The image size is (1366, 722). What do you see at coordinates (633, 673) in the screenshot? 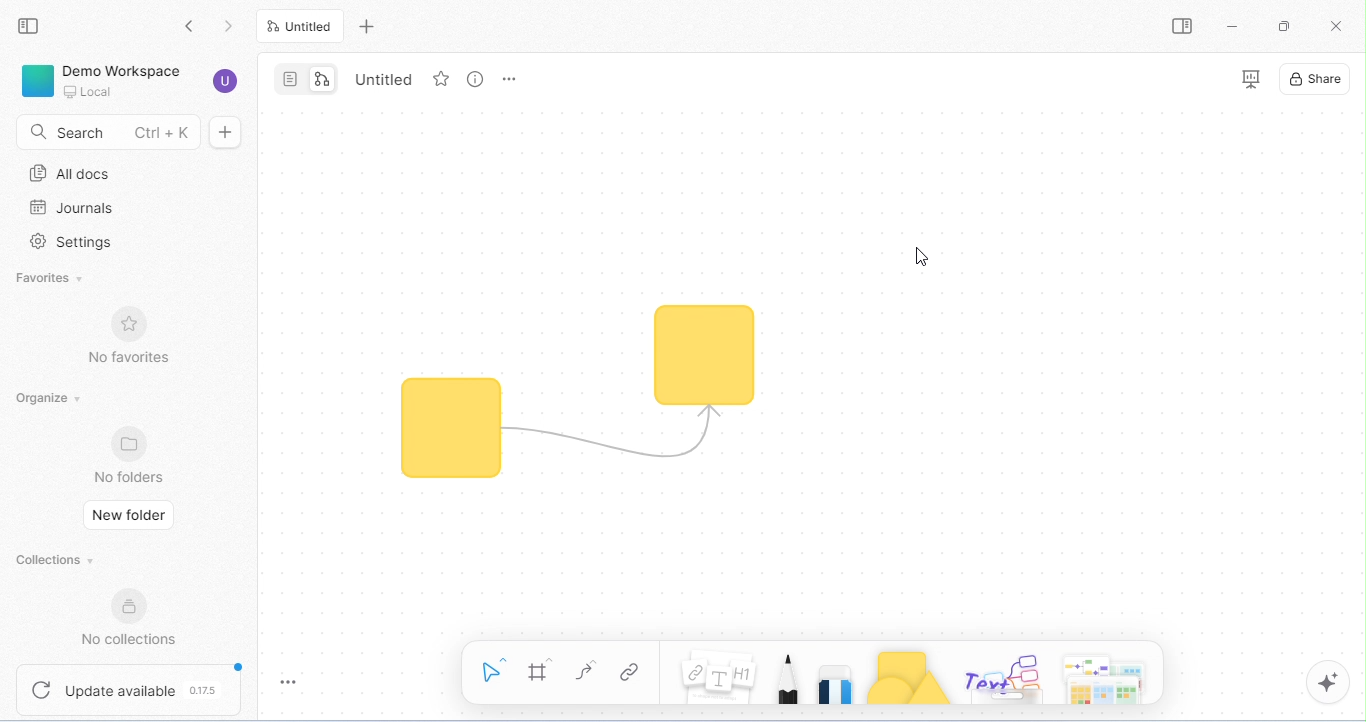
I see `link` at bounding box center [633, 673].